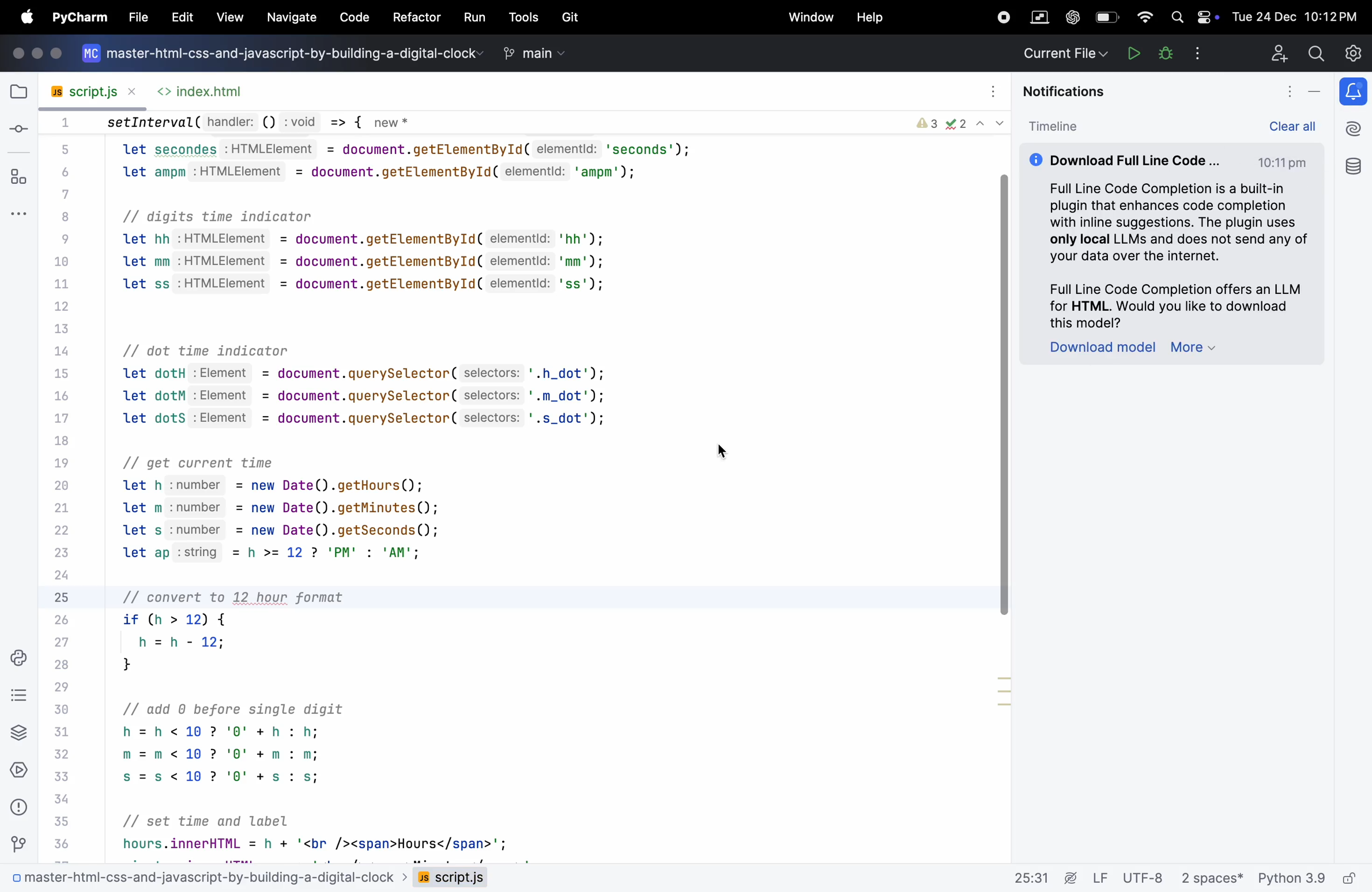 The height and width of the screenshot is (892, 1372). I want to click on Git, so click(21, 840).